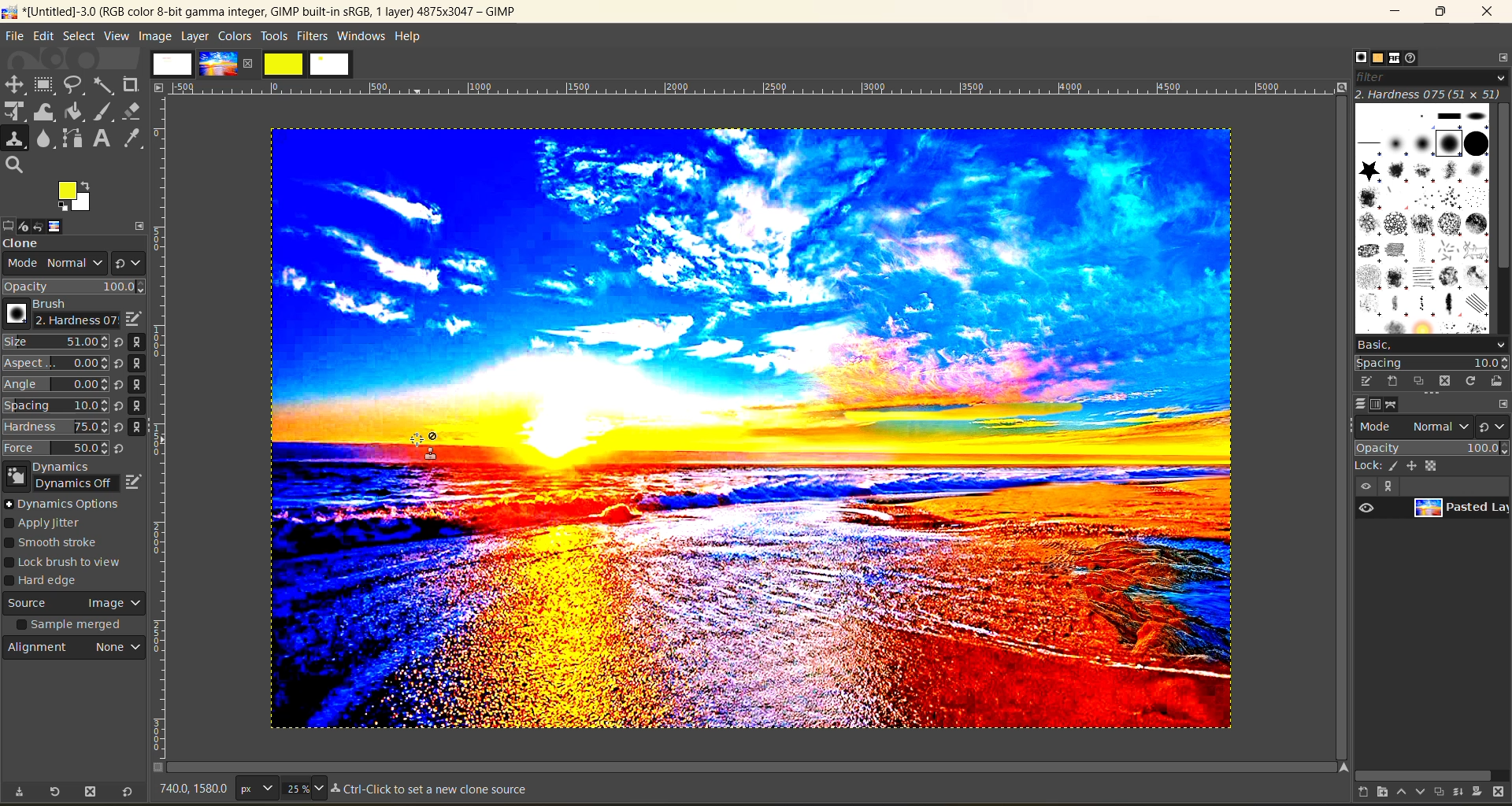 The height and width of the screenshot is (806, 1512). Describe the element at coordinates (57, 314) in the screenshot. I see `brush` at that location.